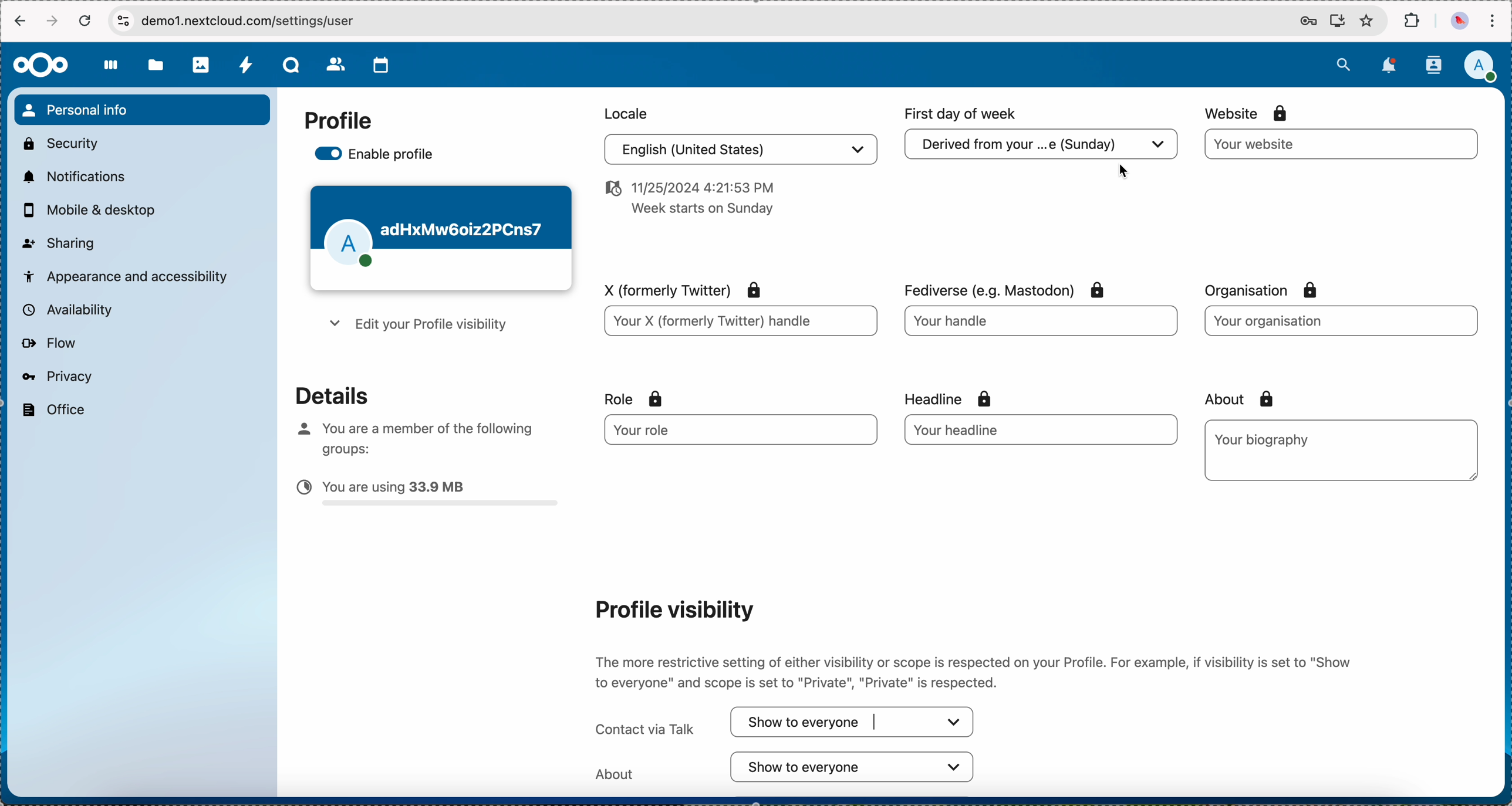 This screenshot has width=1512, height=806. I want to click on contacts, so click(336, 66).